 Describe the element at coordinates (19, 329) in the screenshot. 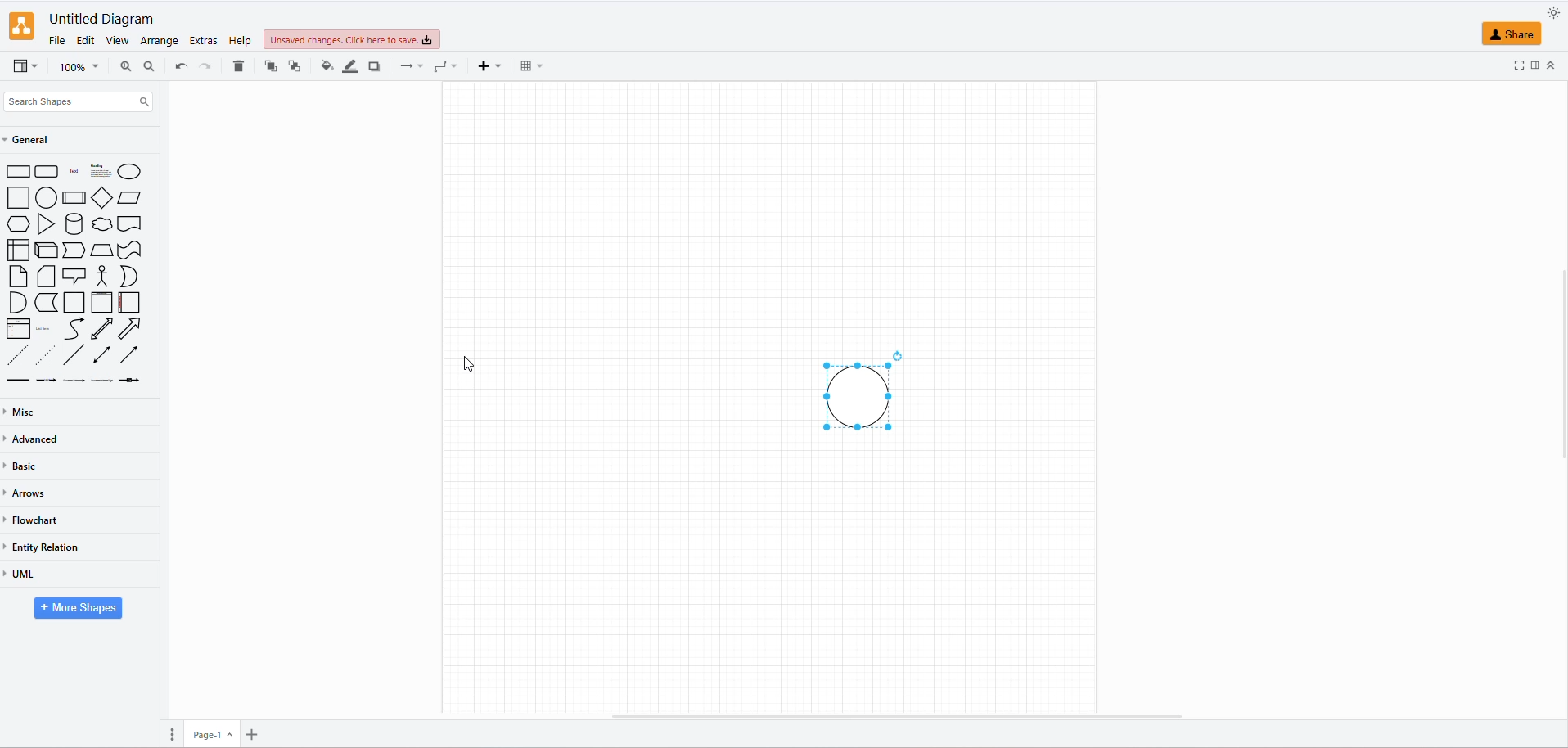

I see `LIST` at that location.